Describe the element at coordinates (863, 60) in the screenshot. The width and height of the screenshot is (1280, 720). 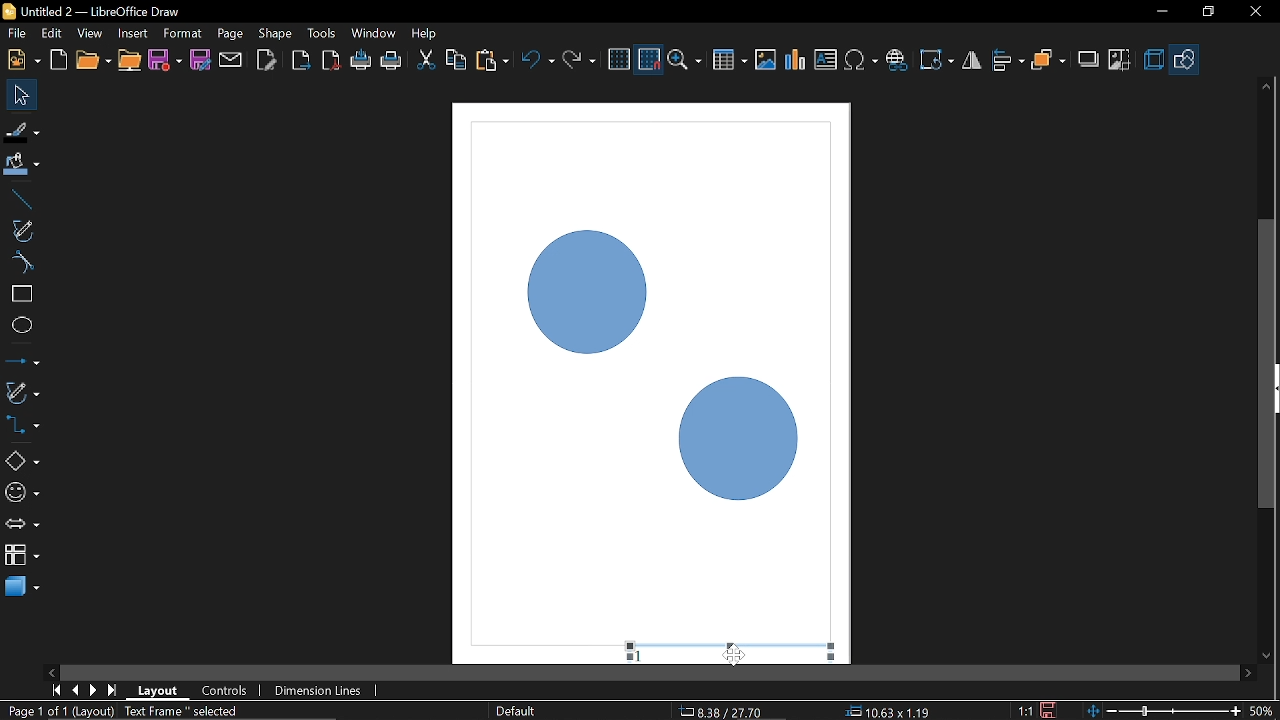
I see `Insert symbol` at that location.